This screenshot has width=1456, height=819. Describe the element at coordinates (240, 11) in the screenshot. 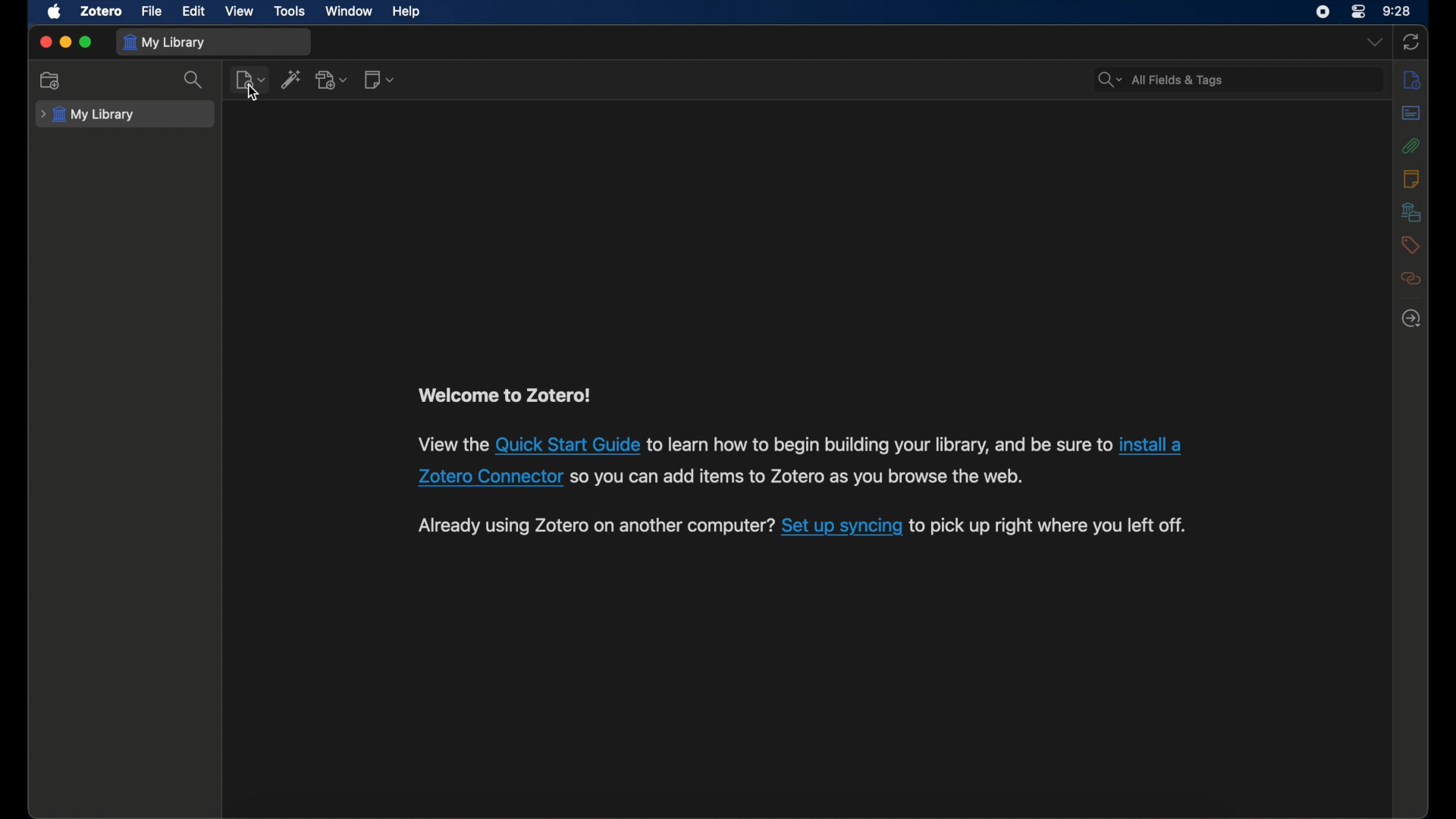

I see `view` at that location.